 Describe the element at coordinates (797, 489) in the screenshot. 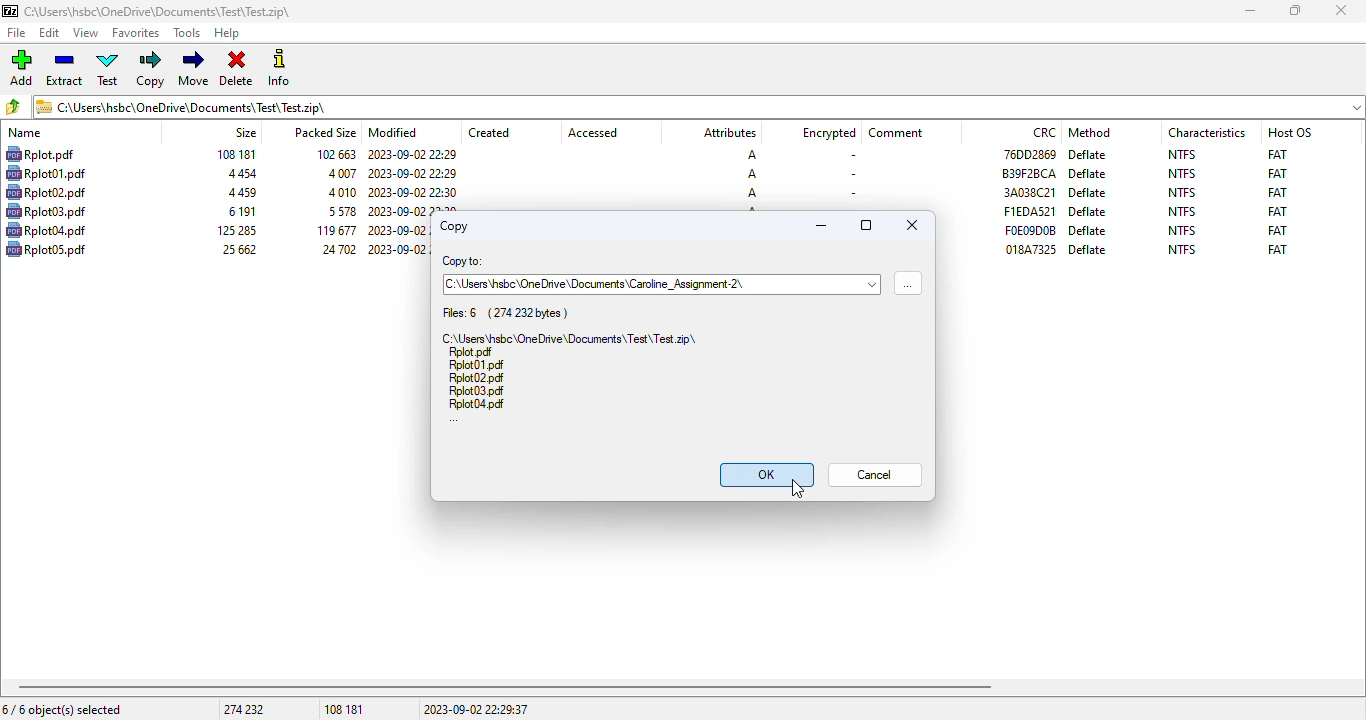

I see `cursor` at that location.